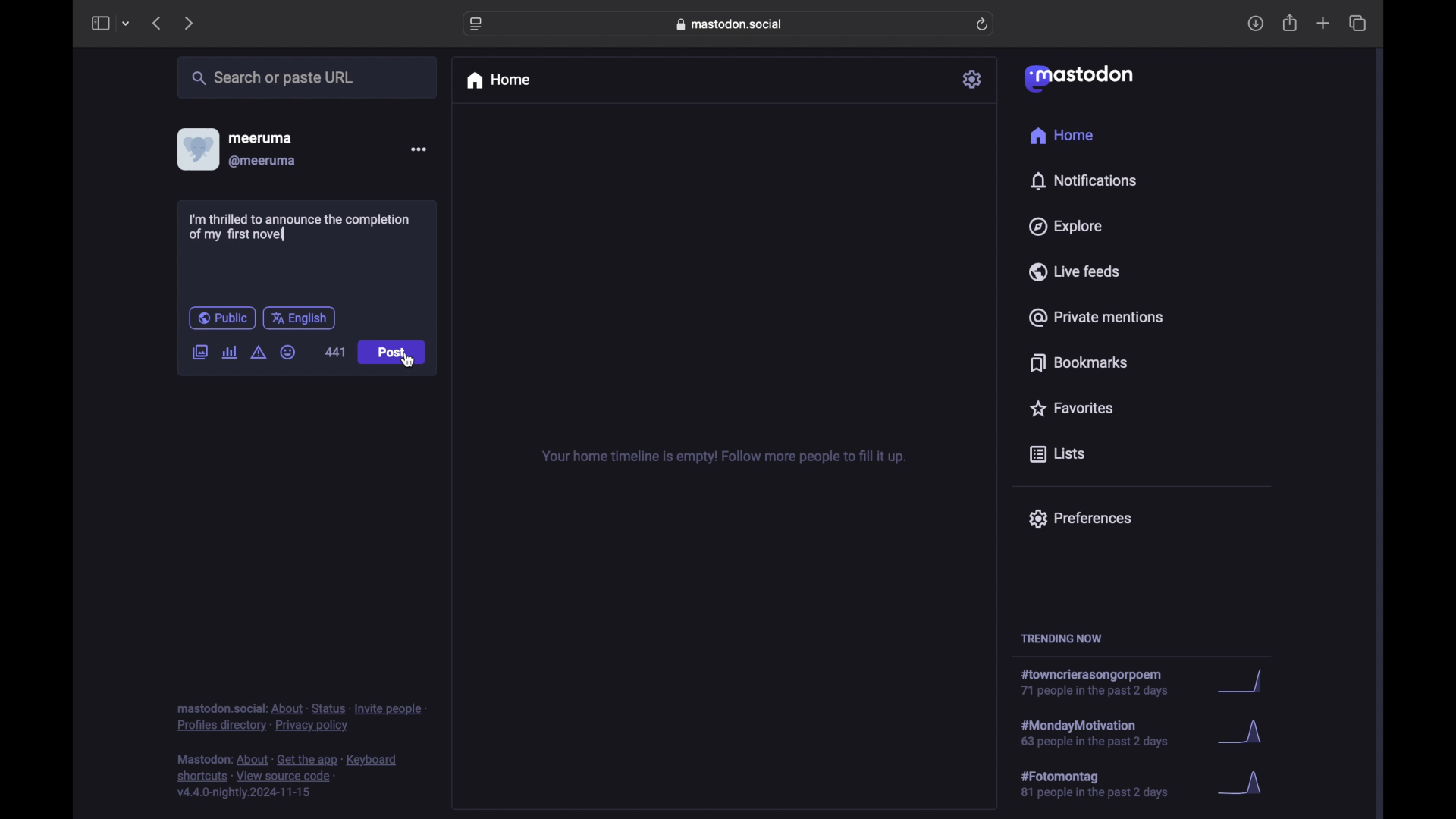 The height and width of the screenshot is (819, 1456). I want to click on footnote, so click(301, 718).